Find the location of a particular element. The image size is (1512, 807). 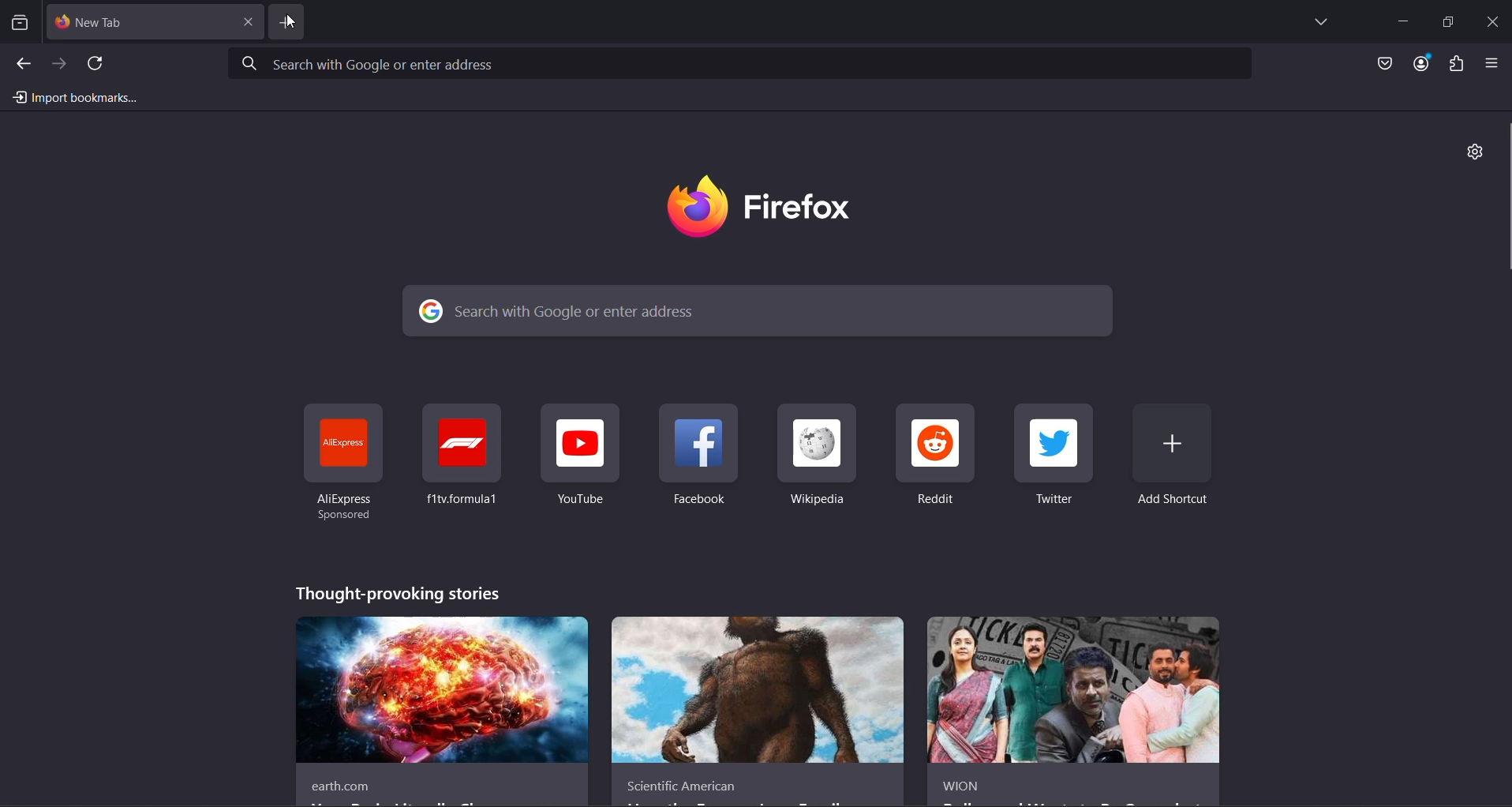

view recent browsing across windows is located at coordinates (24, 23).